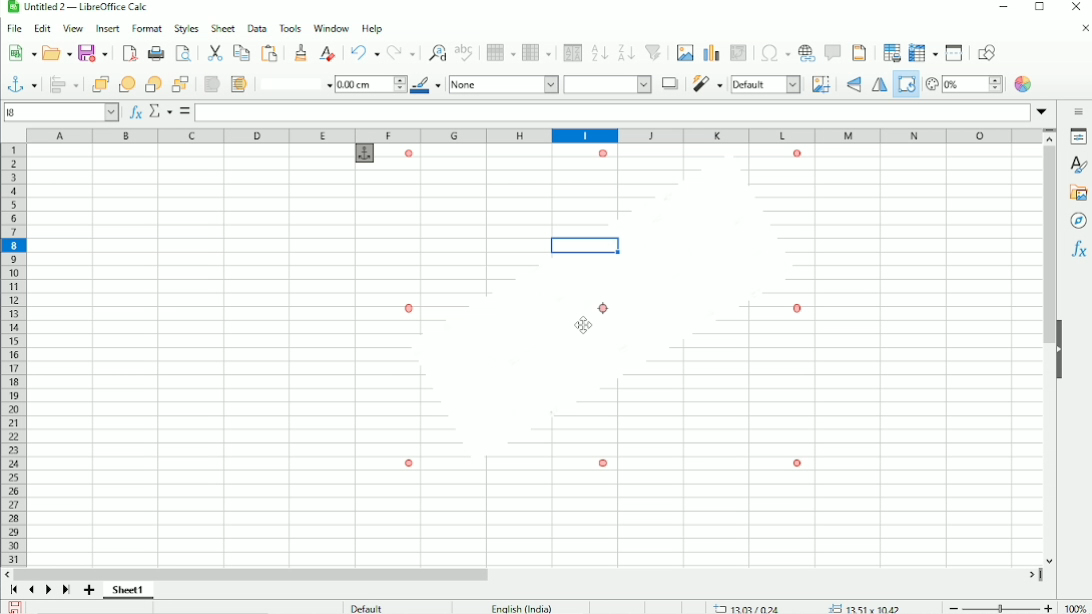  Describe the element at coordinates (499, 53) in the screenshot. I see `Row` at that location.